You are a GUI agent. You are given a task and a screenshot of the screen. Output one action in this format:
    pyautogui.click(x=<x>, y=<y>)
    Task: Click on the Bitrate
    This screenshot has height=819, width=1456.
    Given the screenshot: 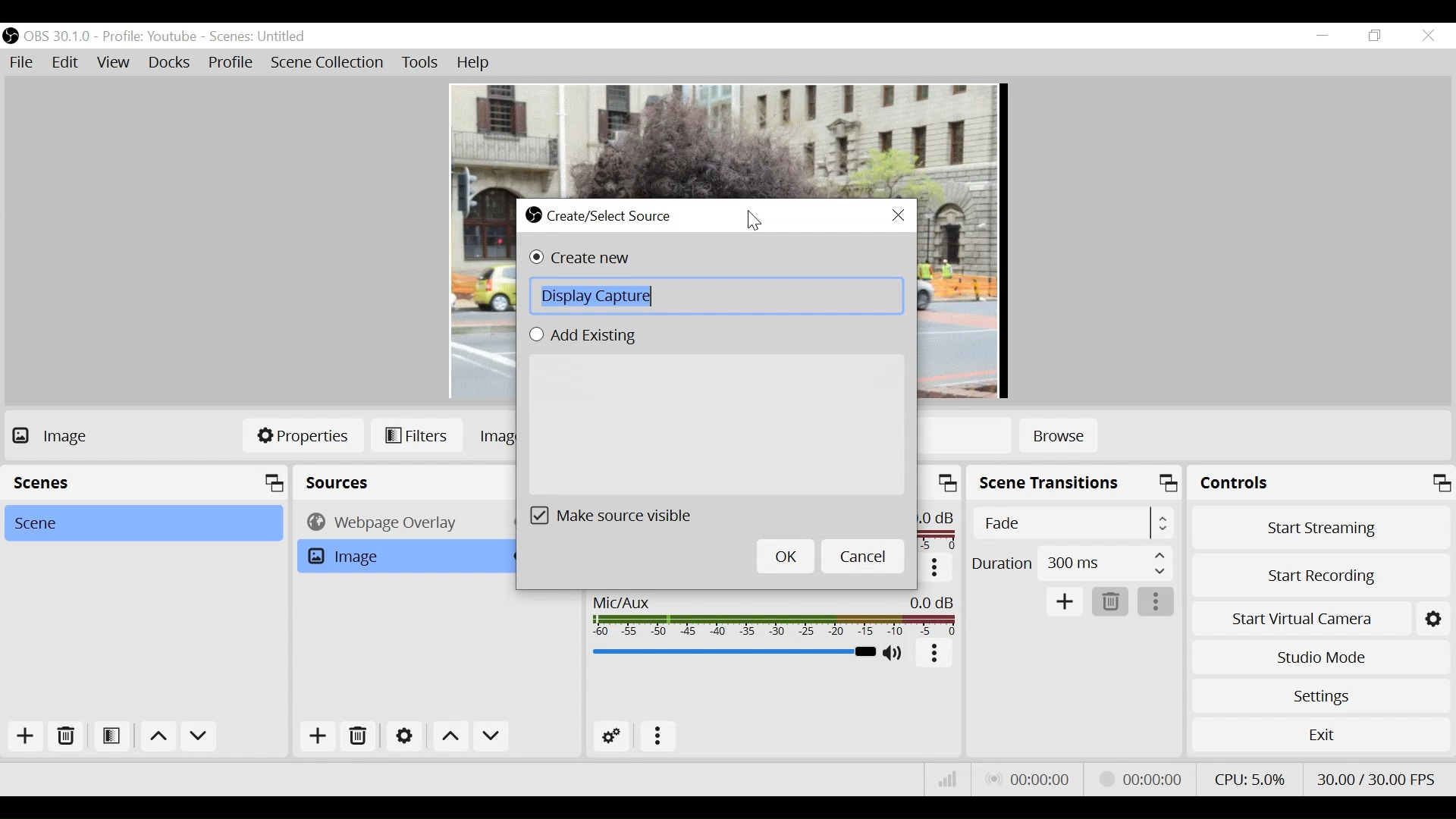 What is the action you would take?
    pyautogui.click(x=949, y=778)
    